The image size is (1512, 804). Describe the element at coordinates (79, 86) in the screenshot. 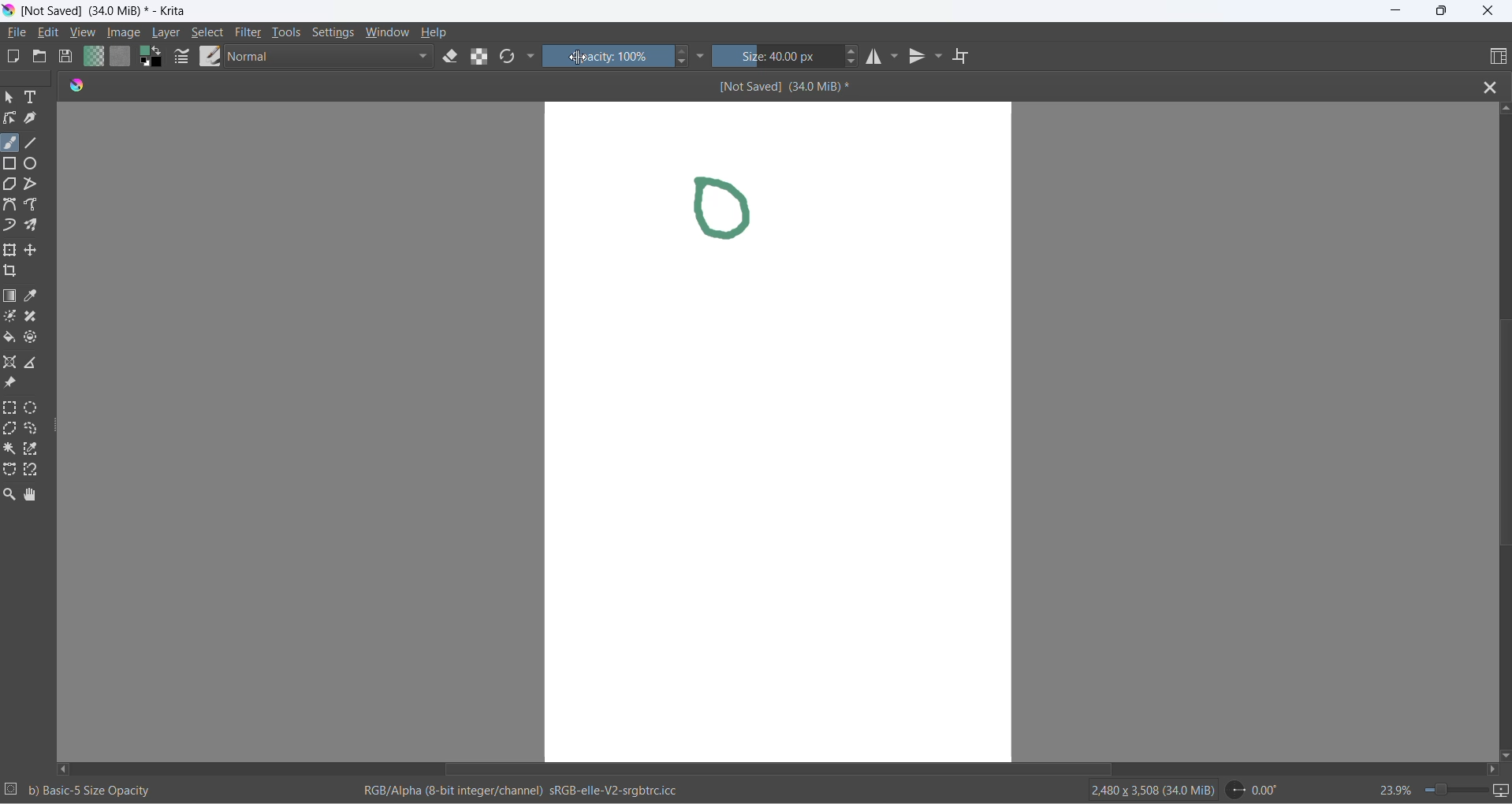

I see `app icon` at that location.